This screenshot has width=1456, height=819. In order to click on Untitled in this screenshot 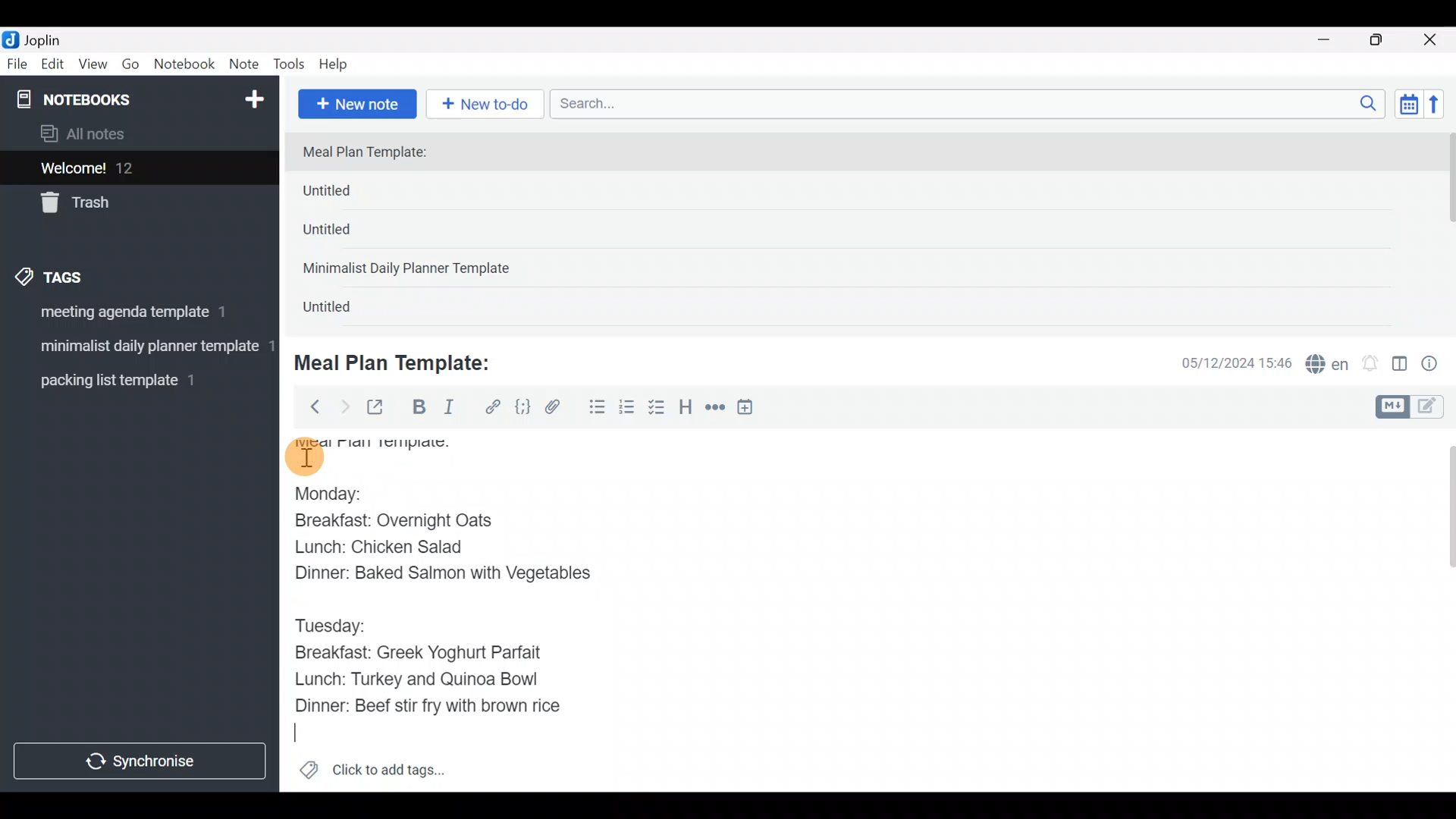, I will do `click(344, 310)`.